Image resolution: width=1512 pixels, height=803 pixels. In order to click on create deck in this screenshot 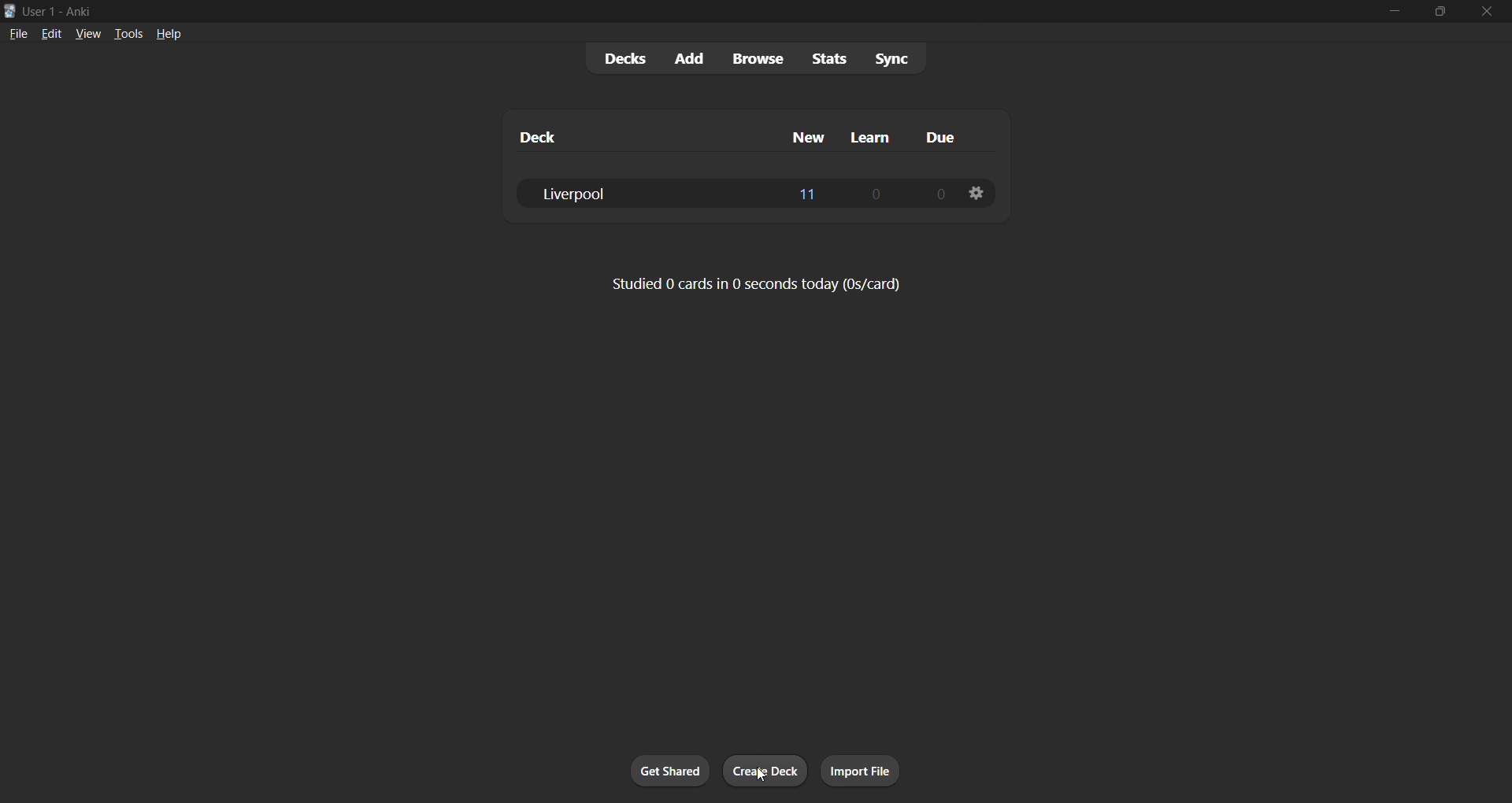, I will do `click(769, 772)`.